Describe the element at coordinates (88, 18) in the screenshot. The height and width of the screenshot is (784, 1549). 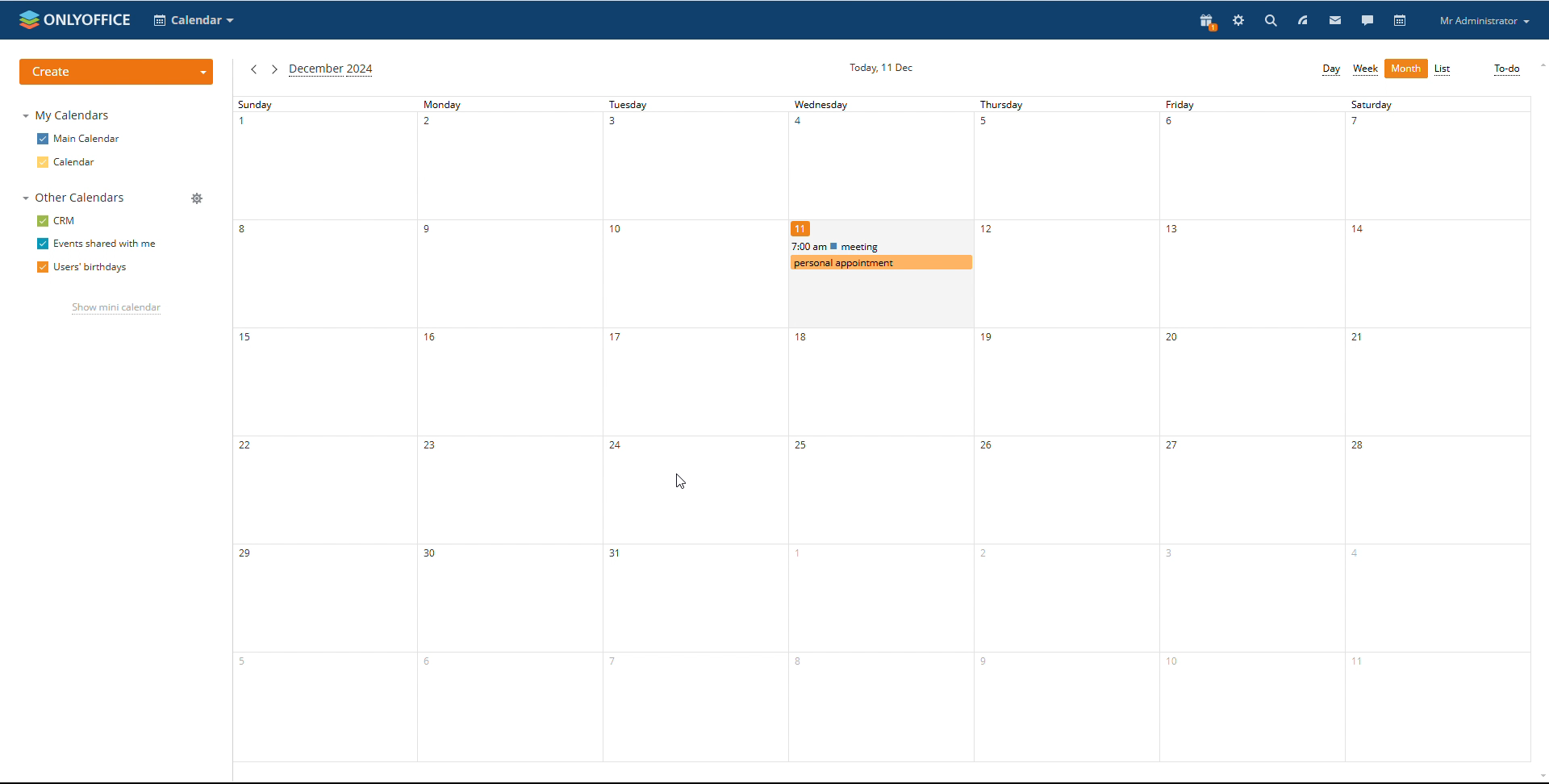
I see `onlyoffice` at that location.